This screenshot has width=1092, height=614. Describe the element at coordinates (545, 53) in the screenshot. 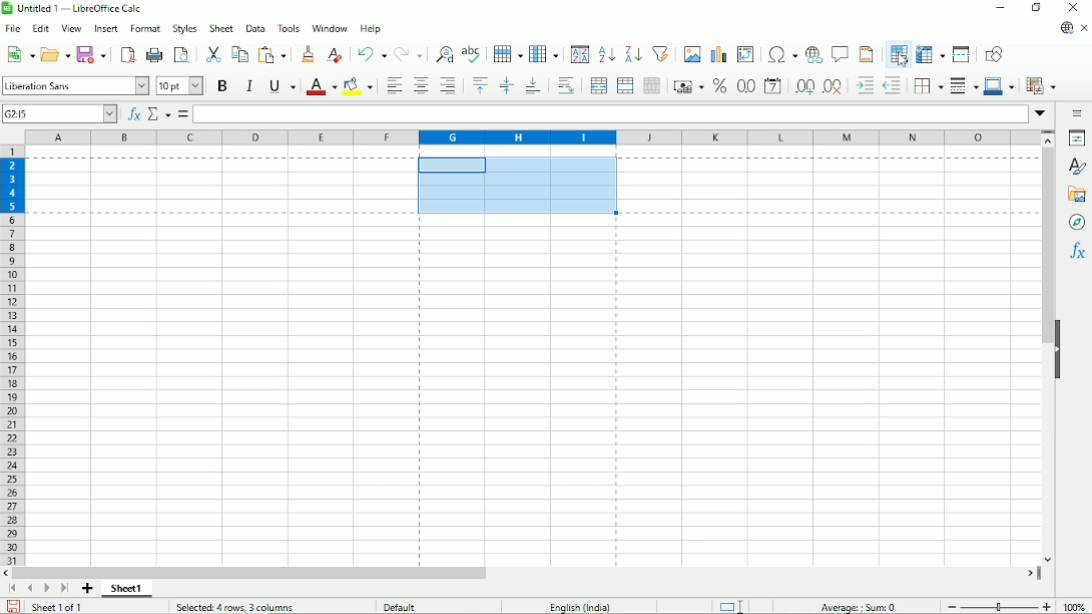

I see `Column` at that location.